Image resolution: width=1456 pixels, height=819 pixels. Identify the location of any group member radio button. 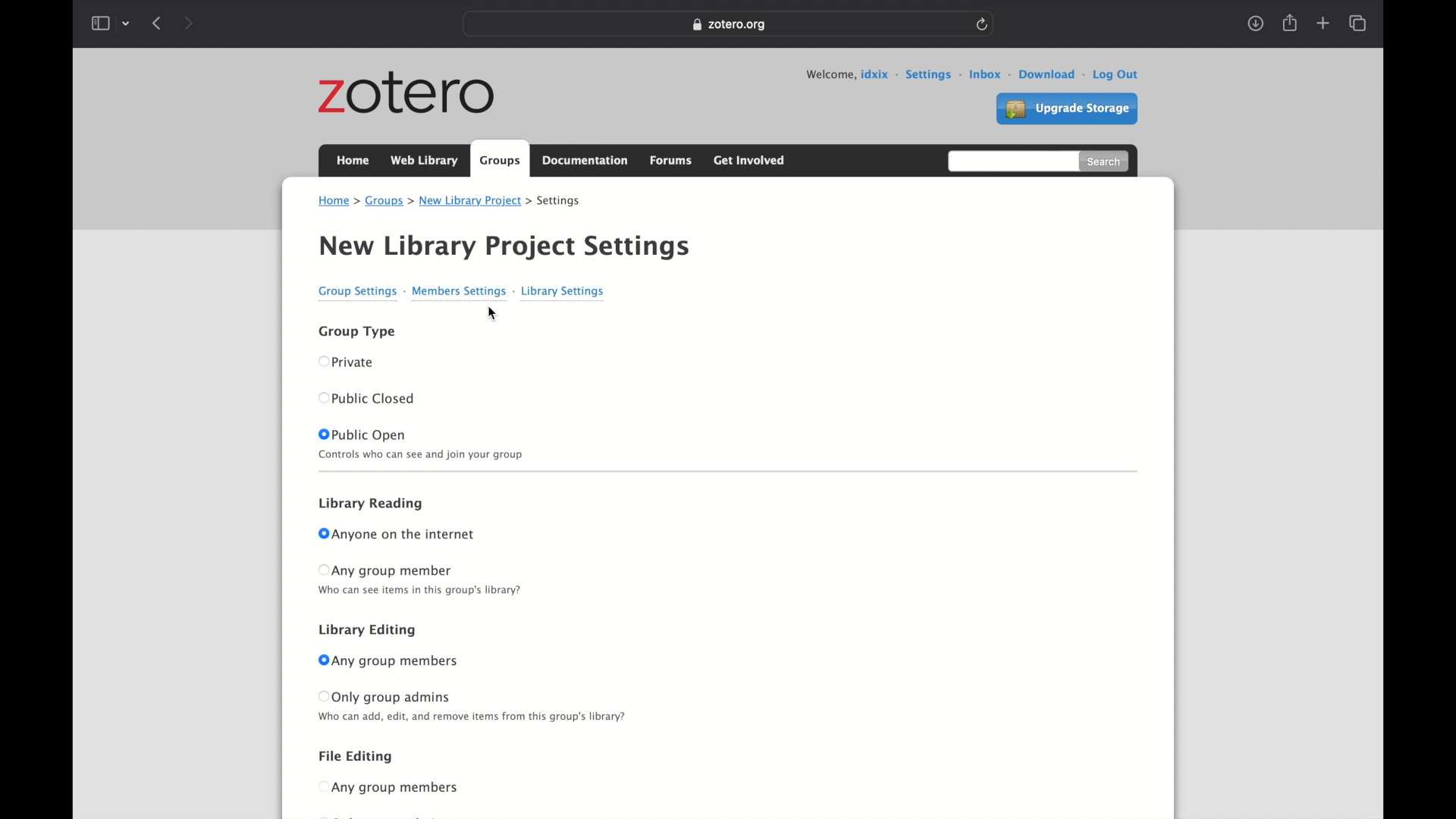
(395, 570).